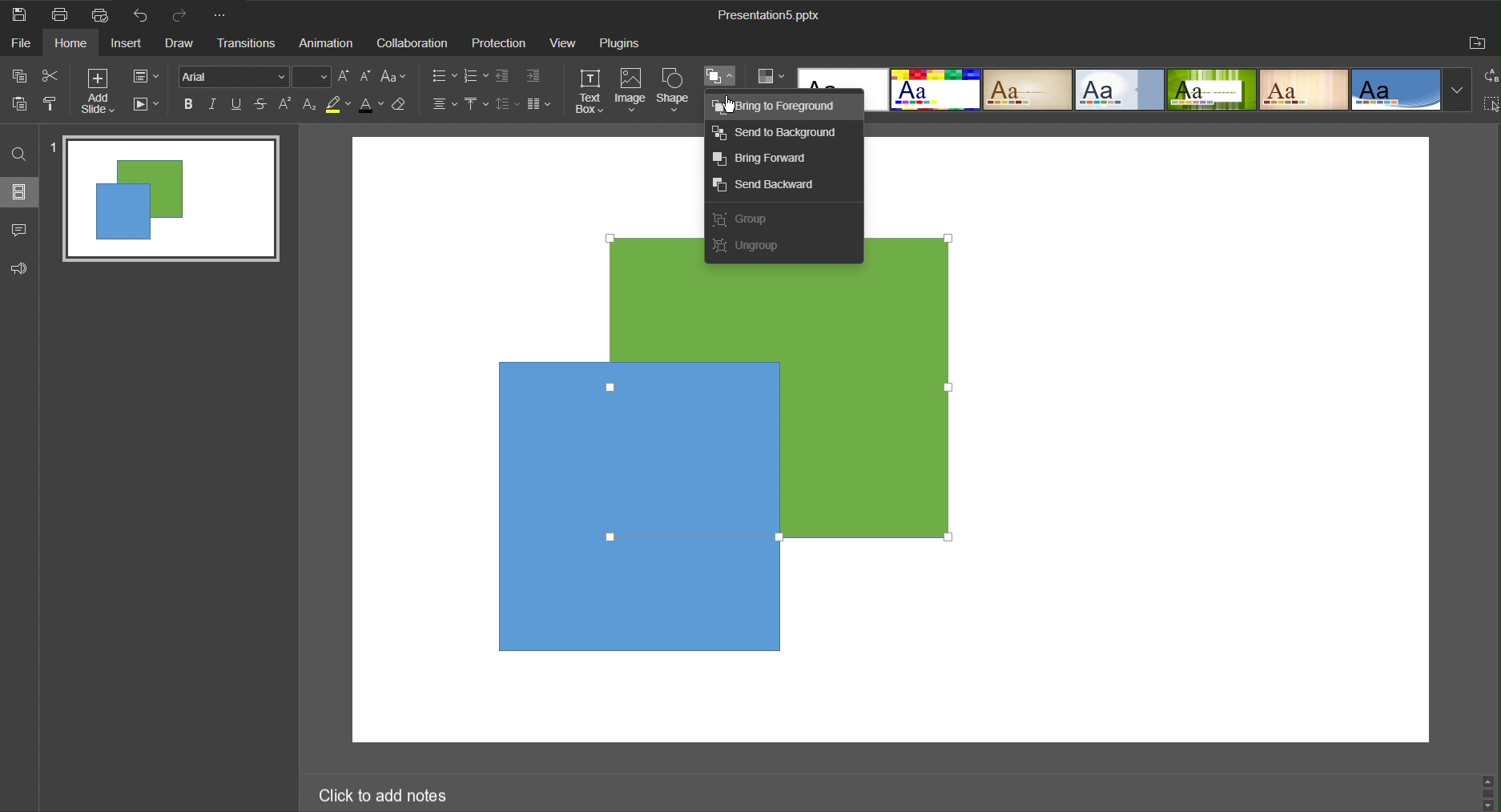 This screenshot has height=812, width=1501. Describe the element at coordinates (501, 43) in the screenshot. I see `Protection` at that location.